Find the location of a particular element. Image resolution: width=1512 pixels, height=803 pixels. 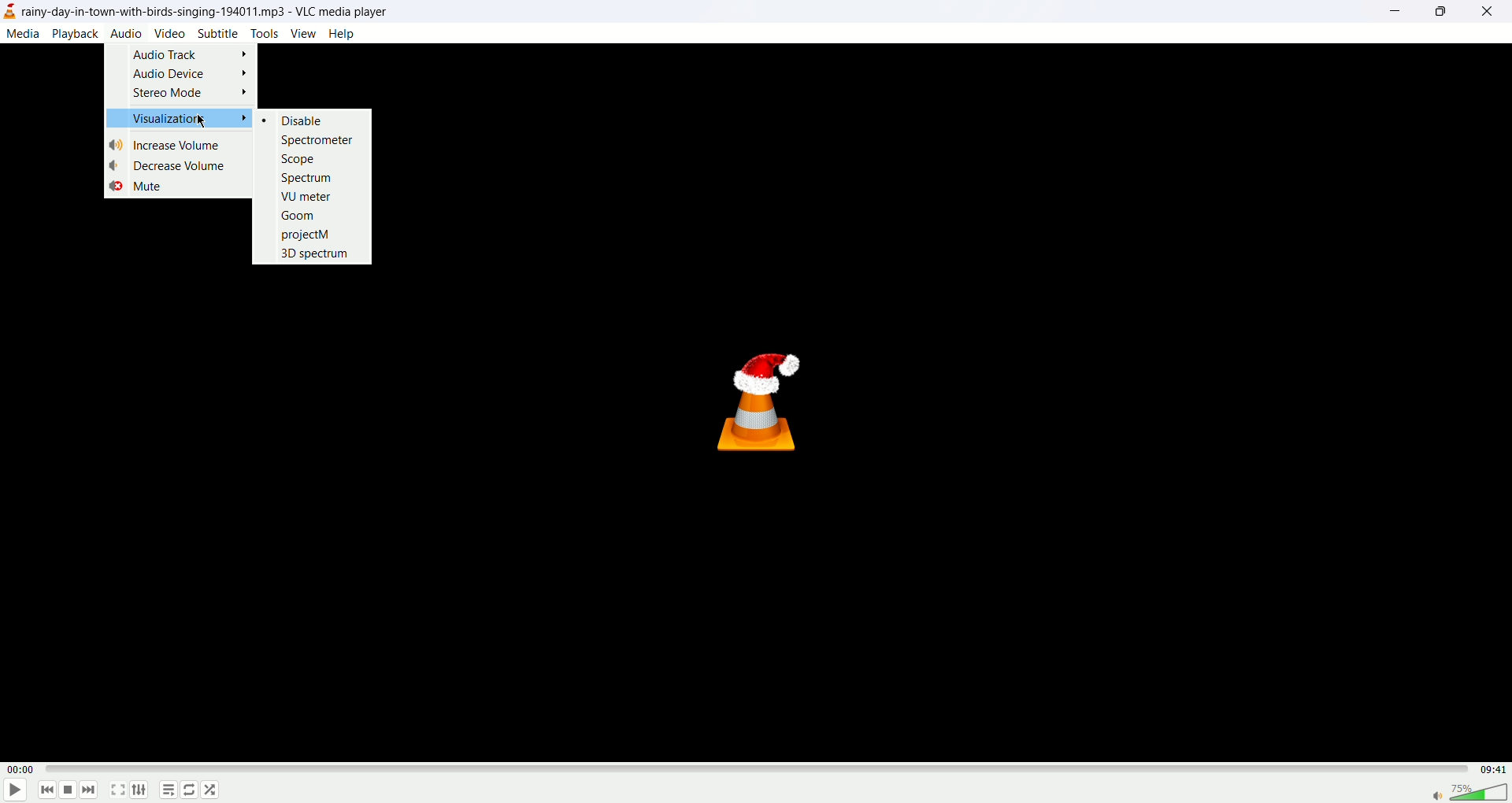

mouse cursor is located at coordinates (200, 120).